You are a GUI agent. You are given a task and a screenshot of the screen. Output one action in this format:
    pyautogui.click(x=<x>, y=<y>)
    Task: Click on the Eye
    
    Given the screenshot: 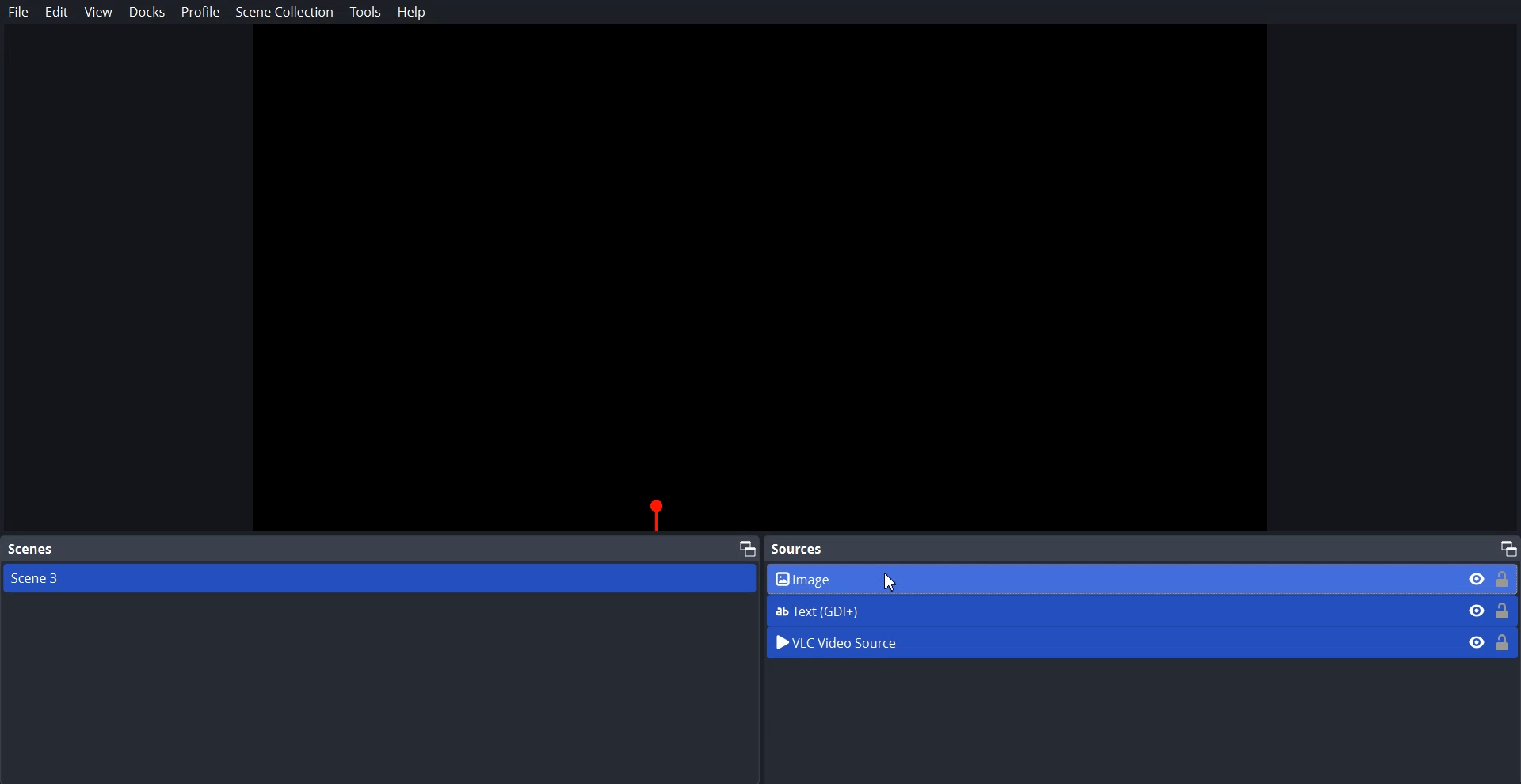 What is the action you would take?
    pyautogui.click(x=1477, y=641)
    